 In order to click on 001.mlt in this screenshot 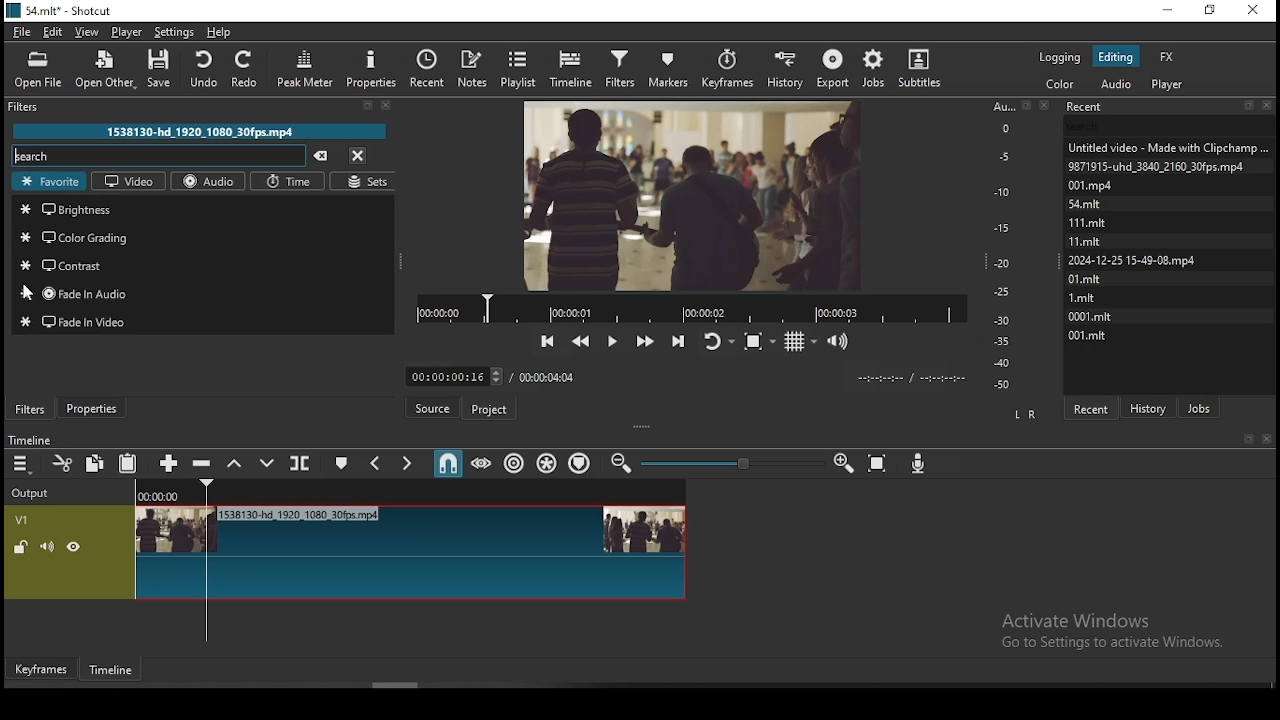, I will do `click(1087, 335)`.